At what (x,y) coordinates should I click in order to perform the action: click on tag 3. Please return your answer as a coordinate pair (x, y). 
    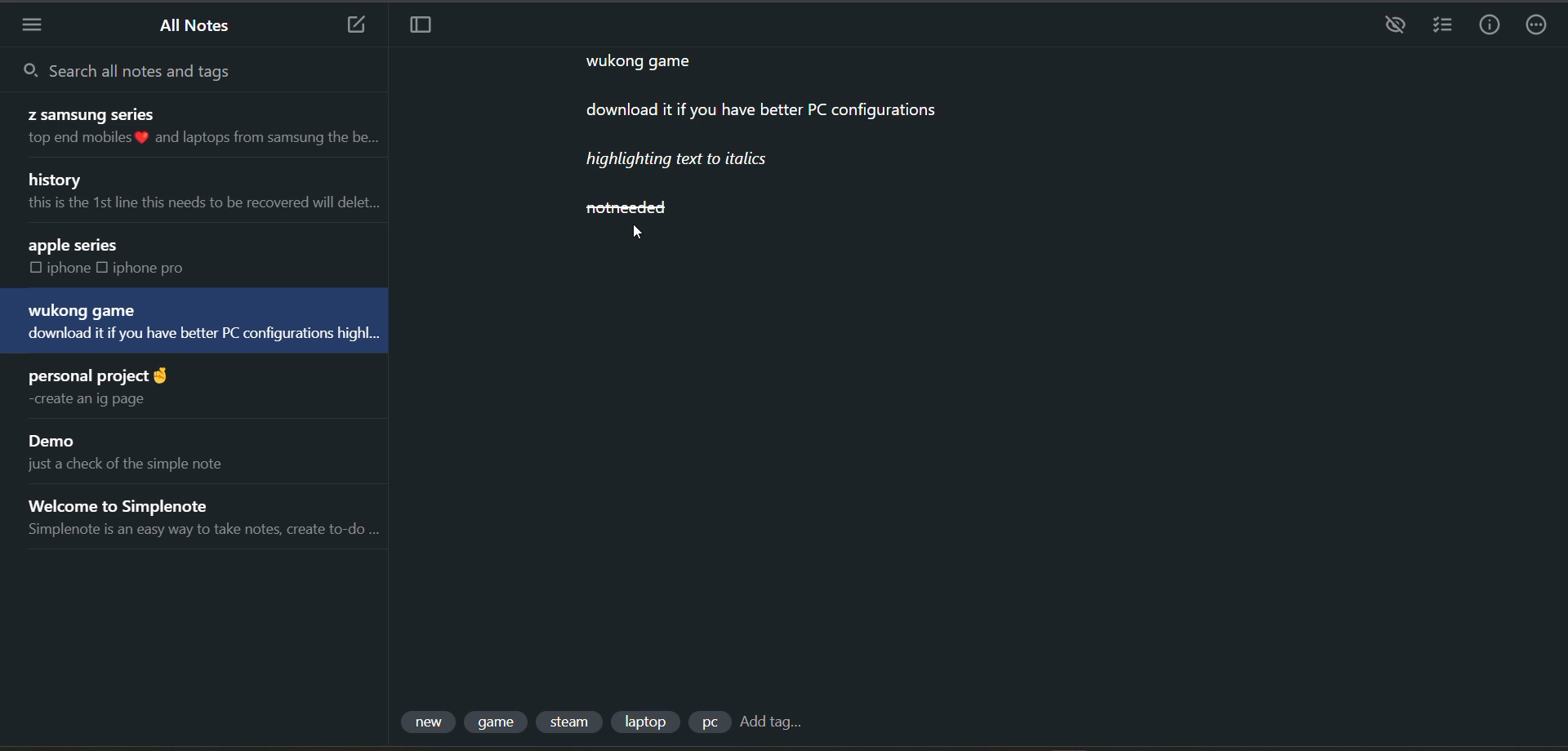
    Looking at the image, I should click on (572, 722).